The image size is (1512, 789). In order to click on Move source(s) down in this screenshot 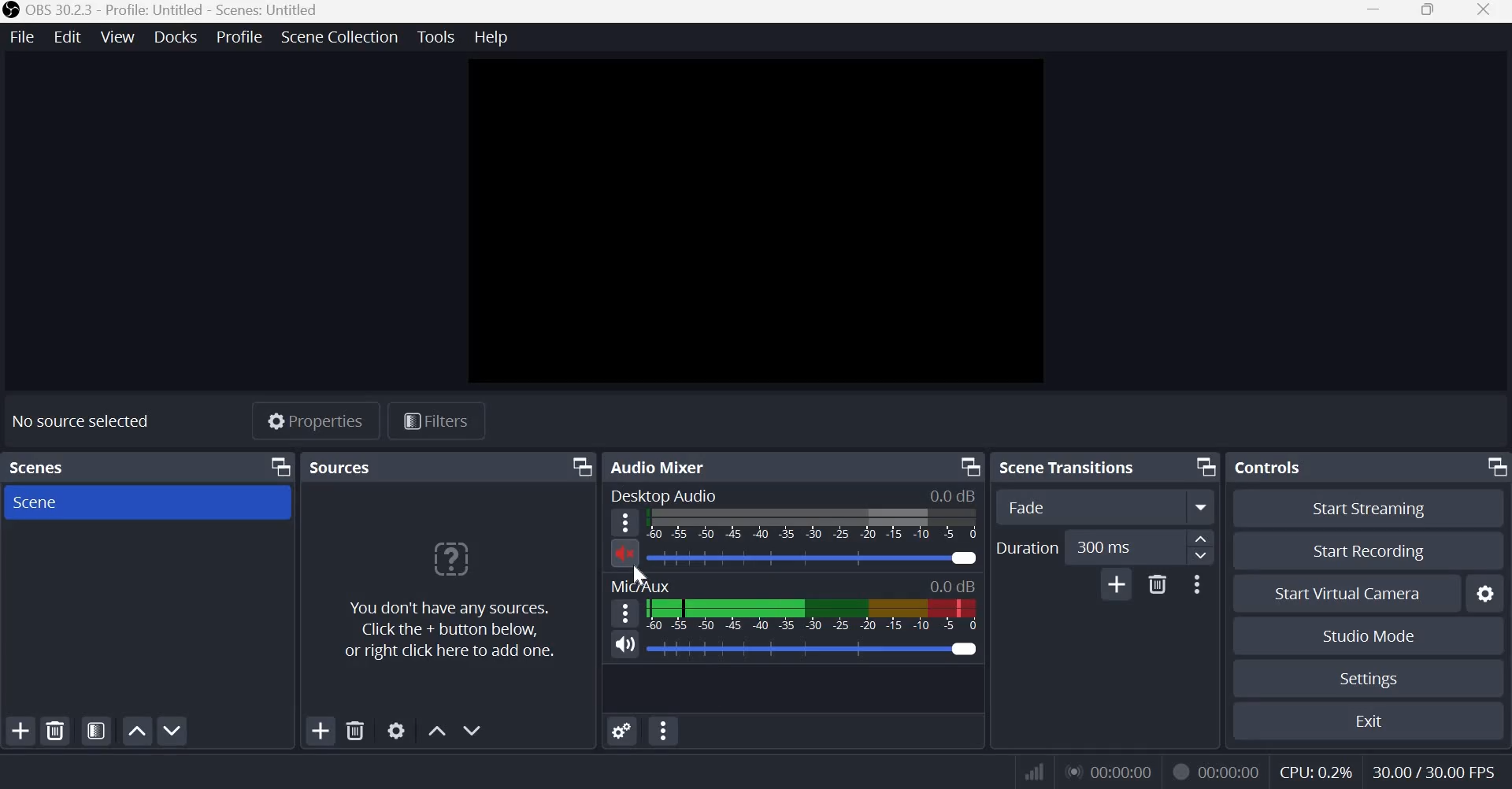, I will do `click(473, 731)`.